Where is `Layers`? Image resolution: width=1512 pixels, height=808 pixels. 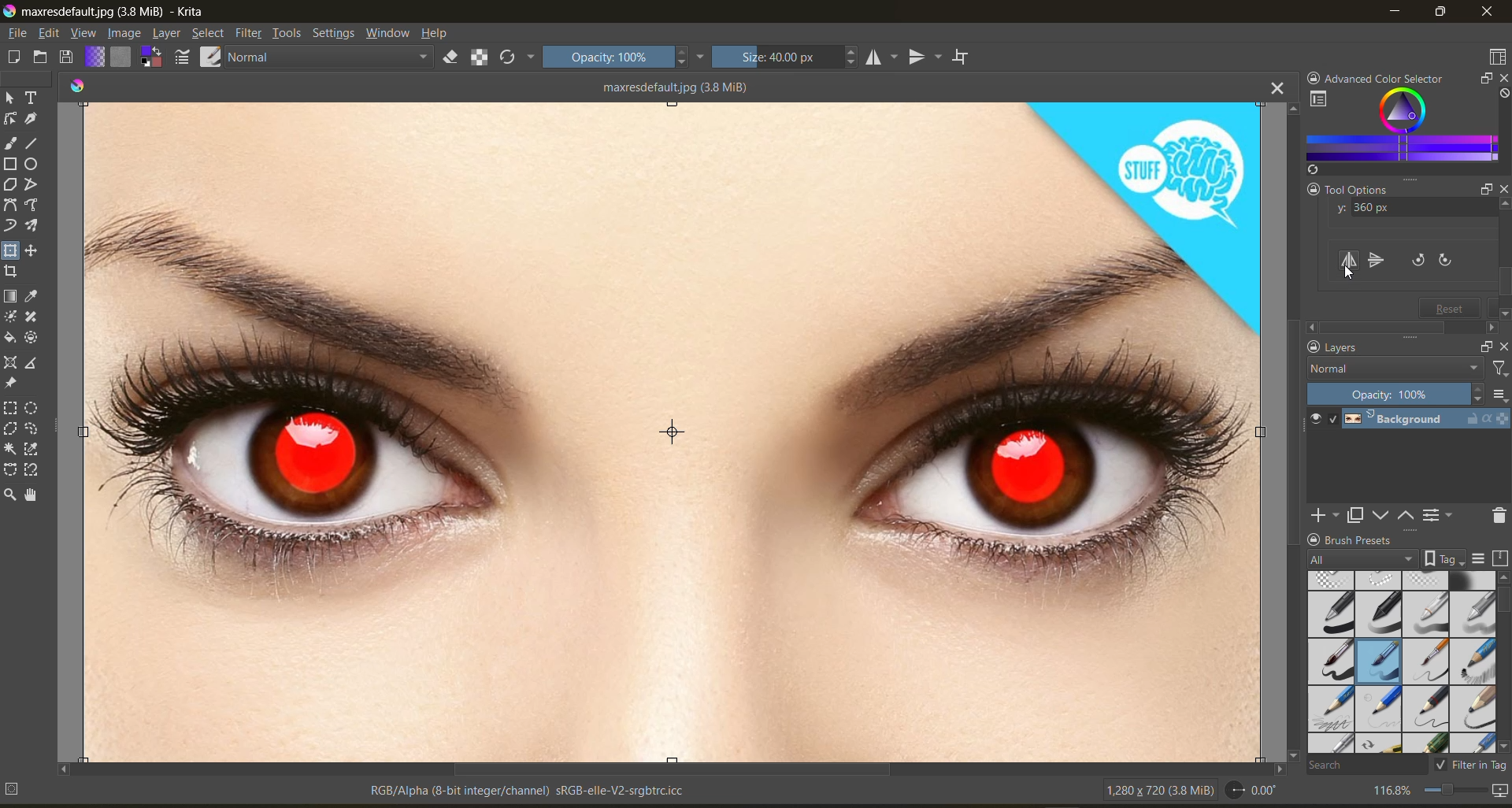 Layers is located at coordinates (1372, 348).